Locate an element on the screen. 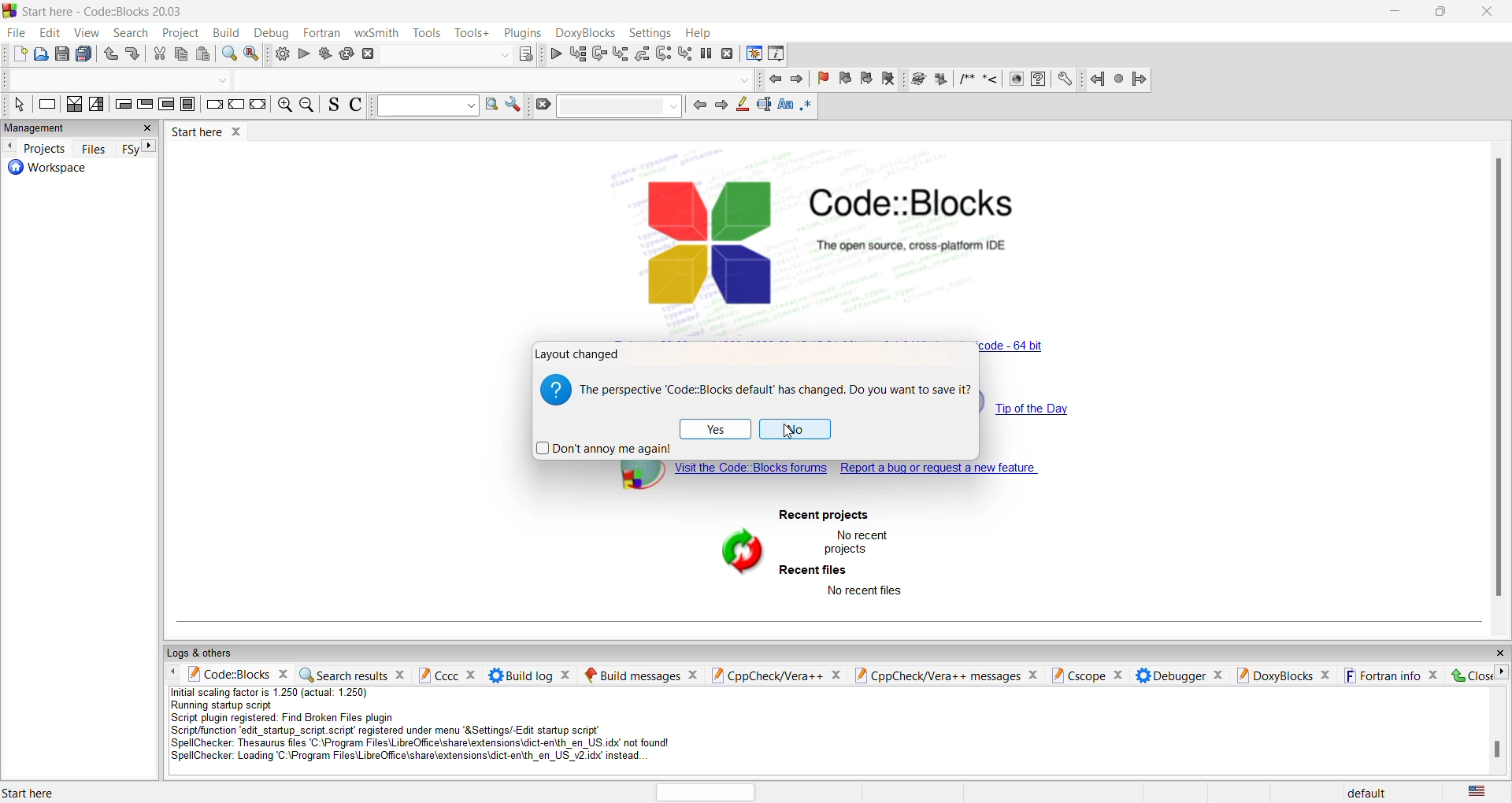 The width and height of the screenshot is (1512, 803). highlight is located at coordinates (741, 105).